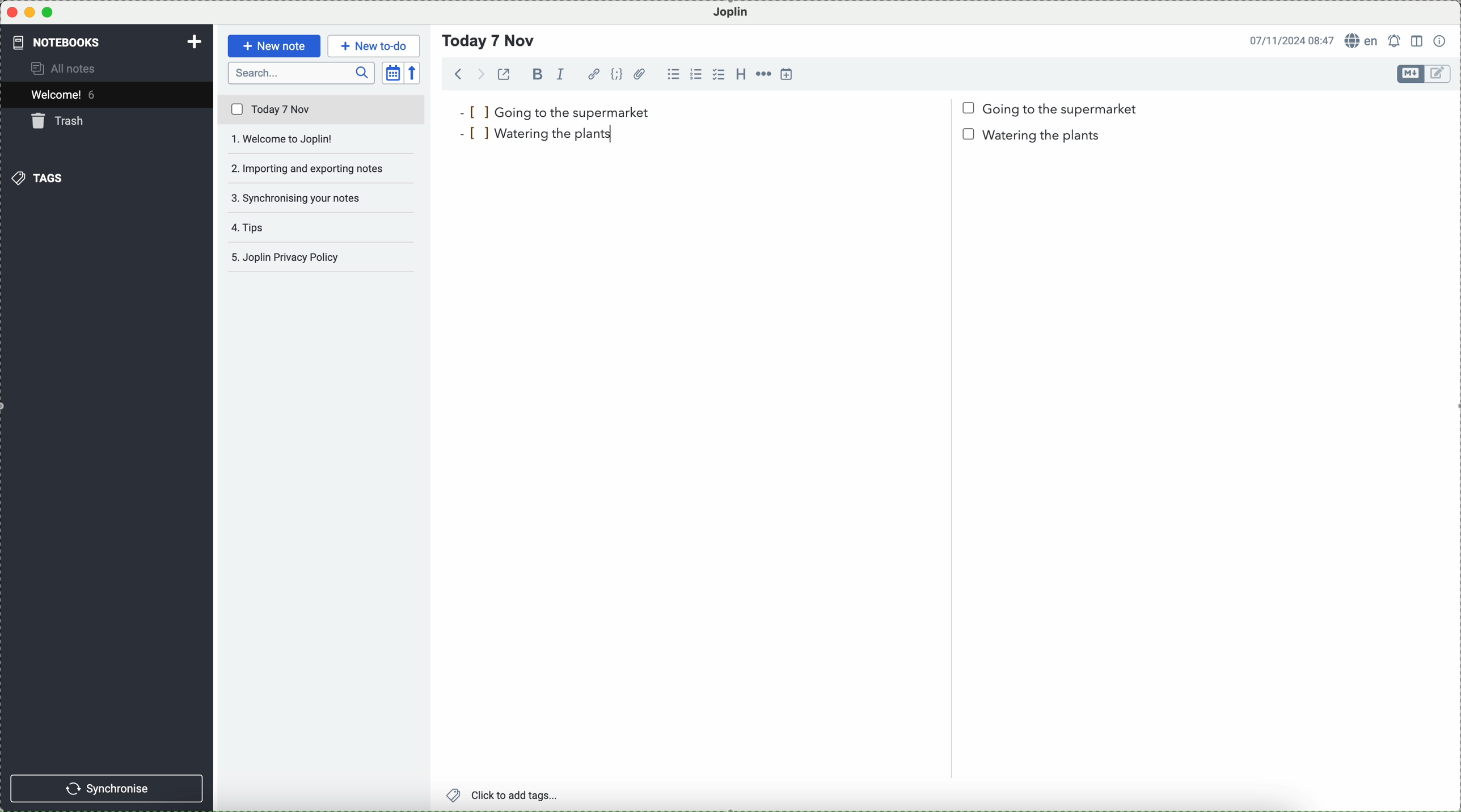 The width and height of the screenshot is (1461, 812). I want to click on bold, so click(535, 74).